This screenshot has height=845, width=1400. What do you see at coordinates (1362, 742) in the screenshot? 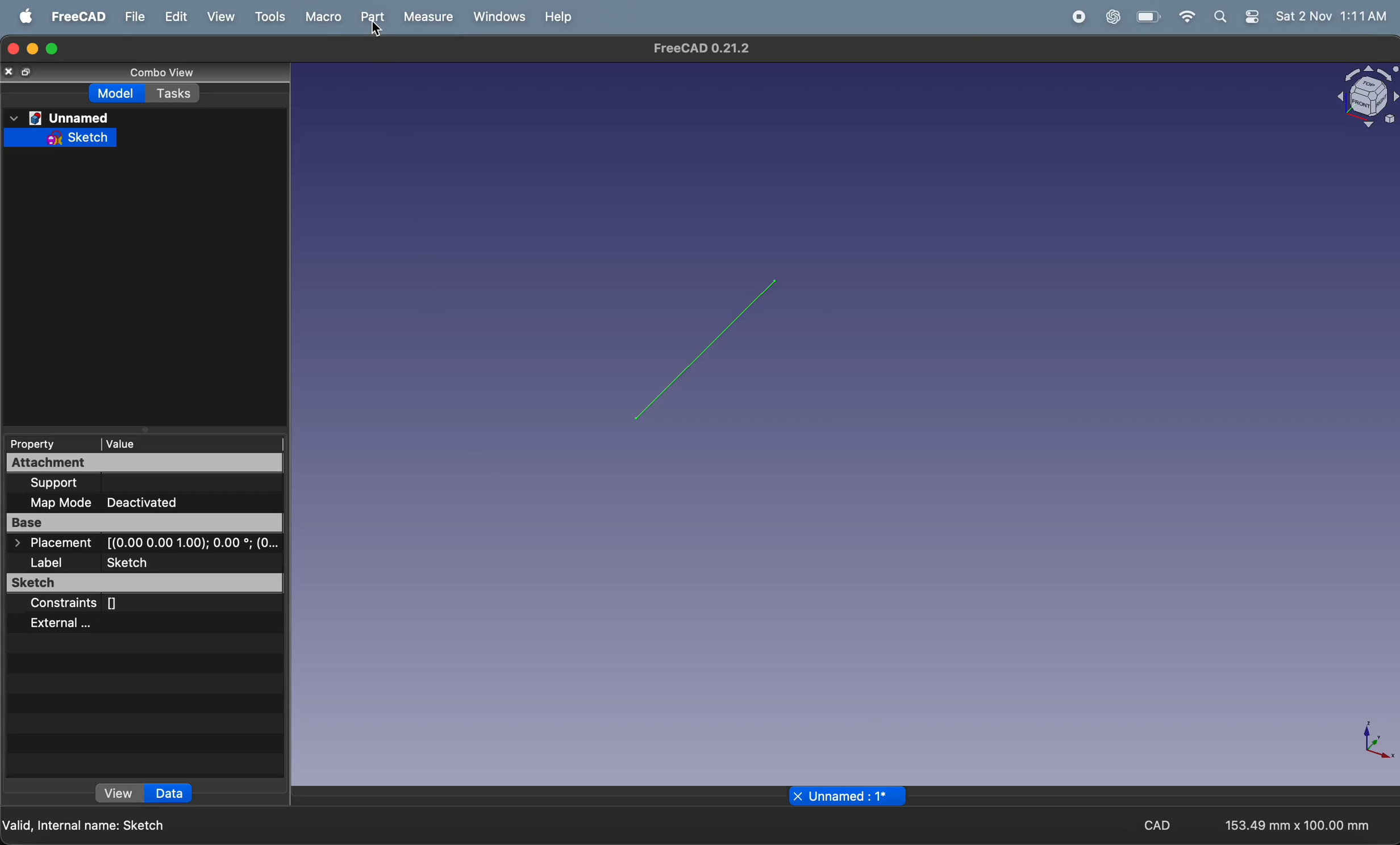
I see `axis` at bounding box center [1362, 742].